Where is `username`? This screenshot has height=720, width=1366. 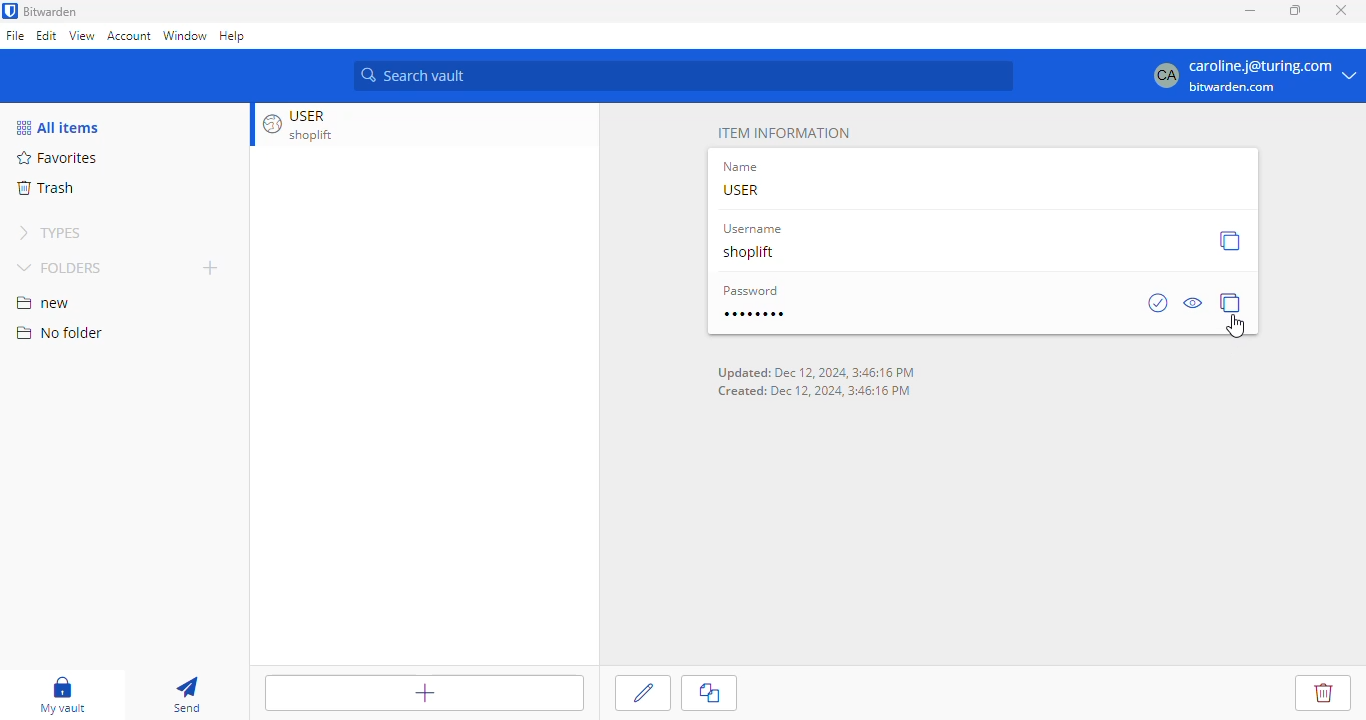 username is located at coordinates (751, 229).